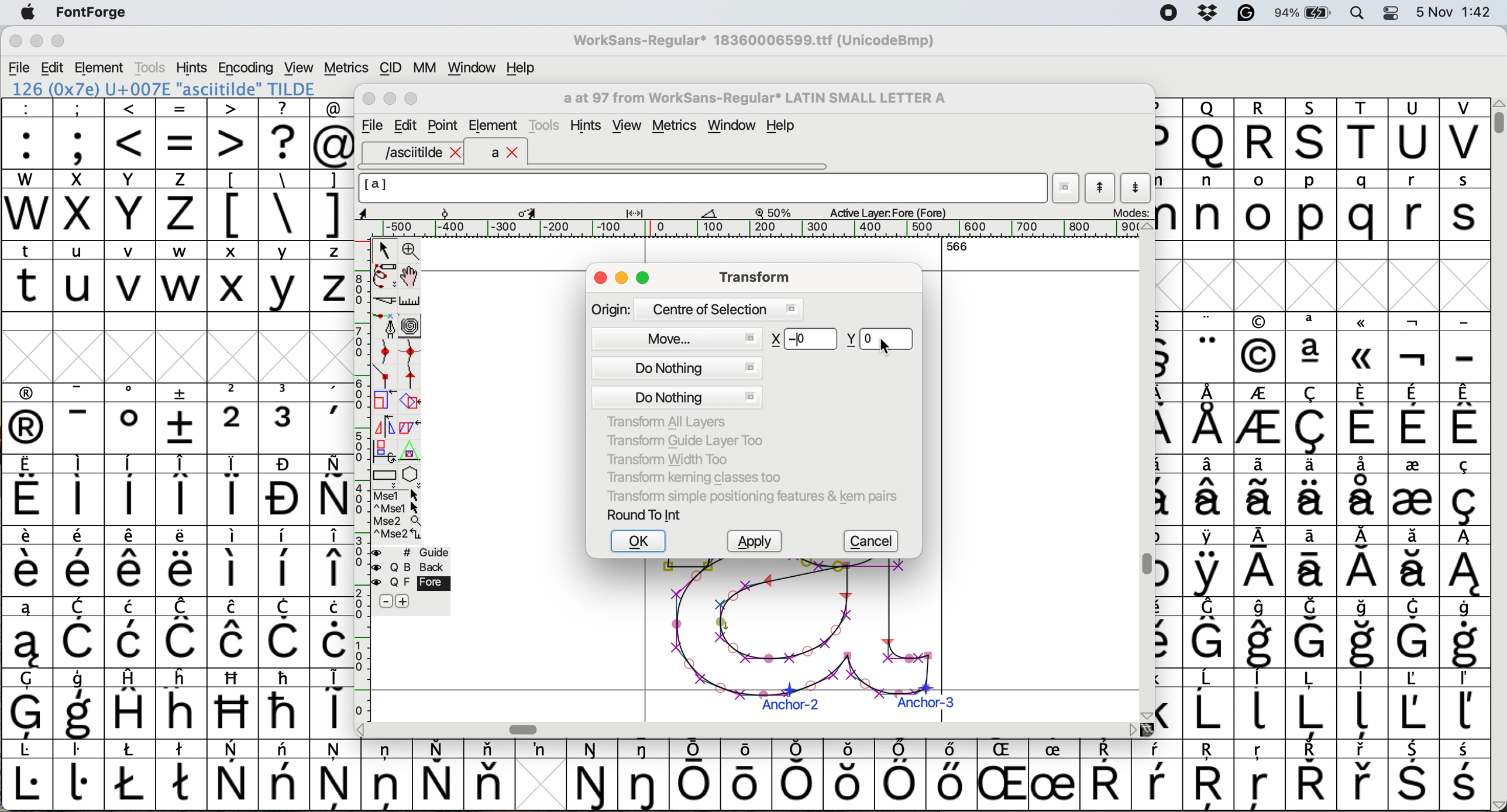 This screenshot has height=812, width=1507. Describe the element at coordinates (82, 634) in the screenshot. I see `symbol` at that location.